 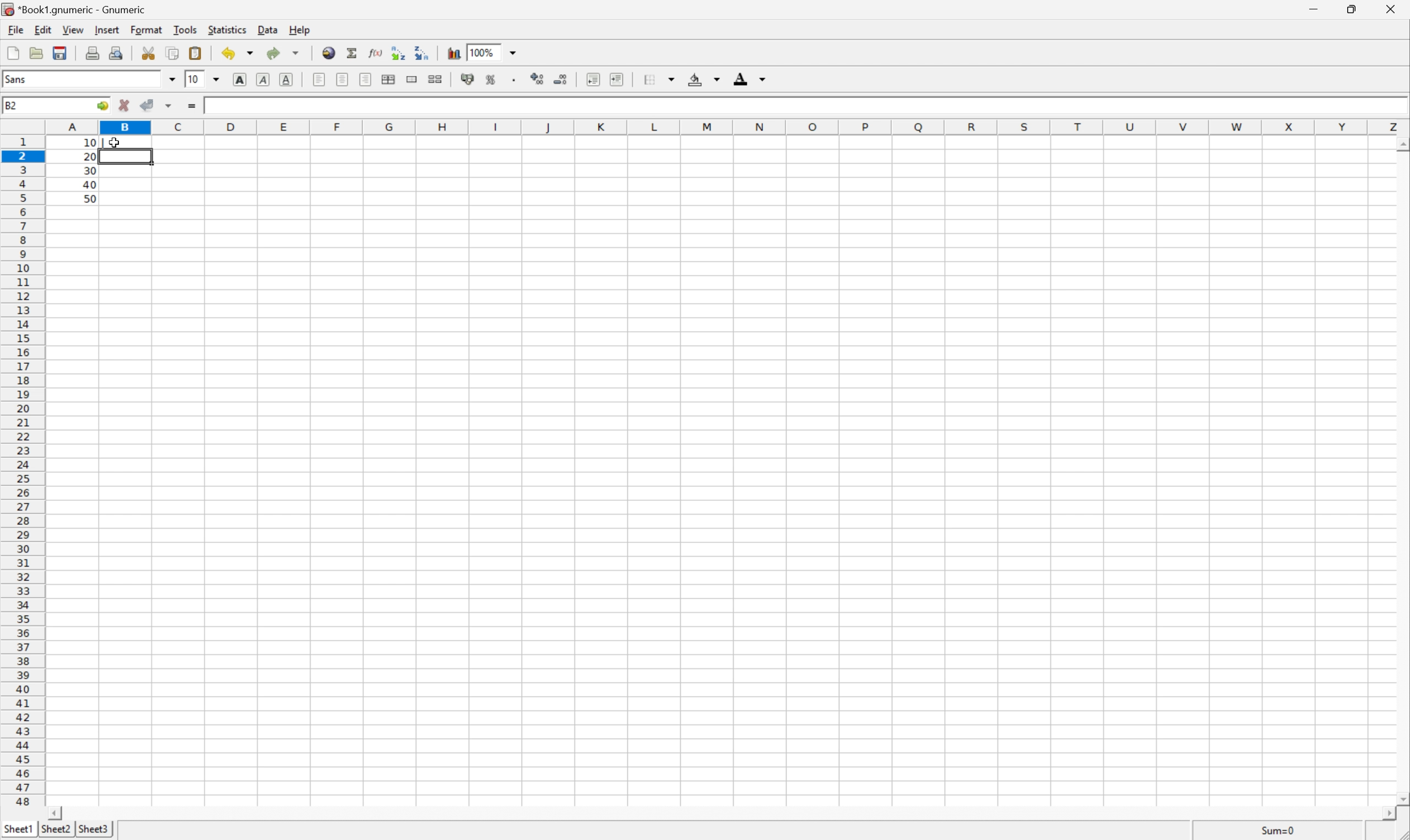 I want to click on 20, so click(x=89, y=157).